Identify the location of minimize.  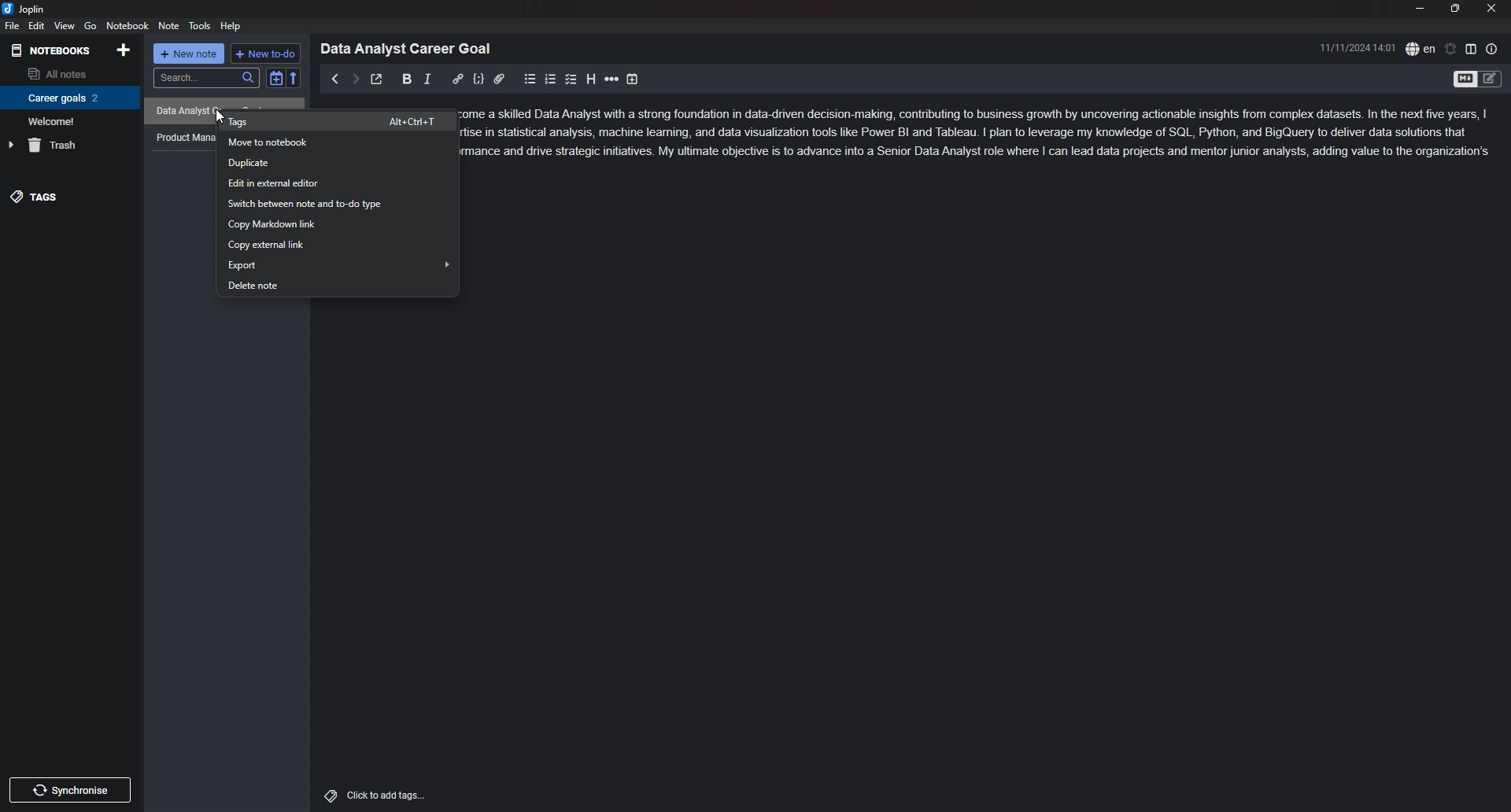
(1419, 8).